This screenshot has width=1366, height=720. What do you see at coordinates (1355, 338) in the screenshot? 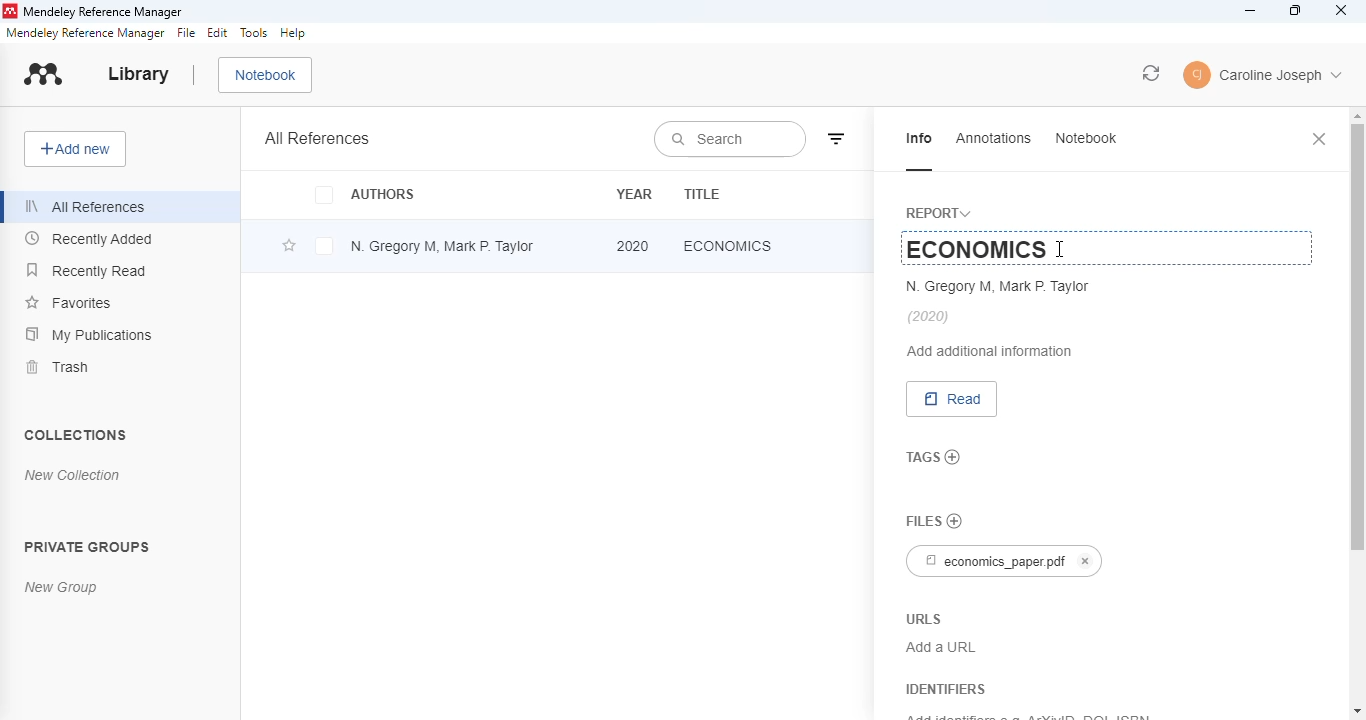
I see `vertical scroll bar` at bounding box center [1355, 338].